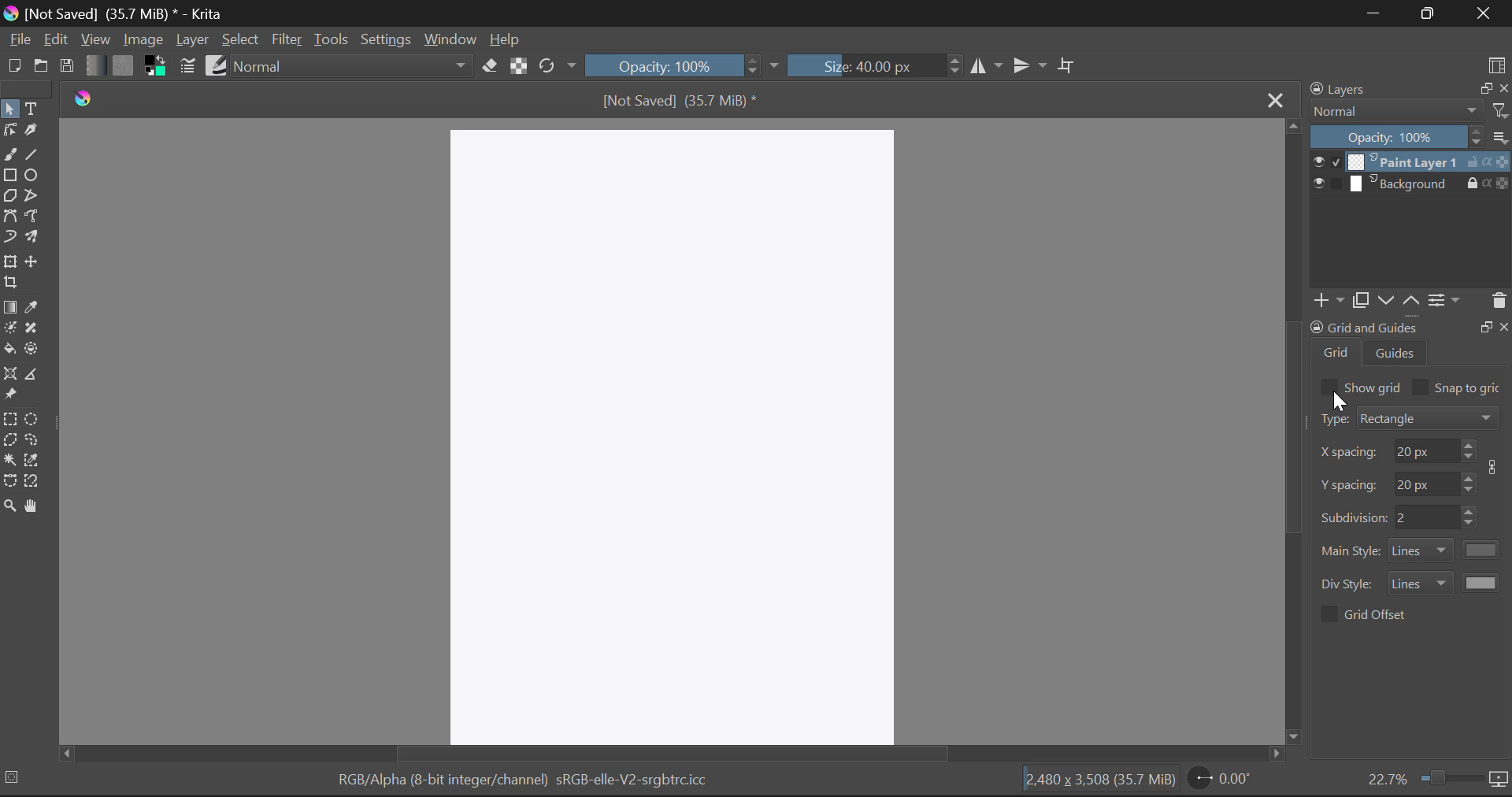 This screenshot has height=797, width=1512. Describe the element at coordinates (34, 134) in the screenshot. I see `Calligraphic Tool` at that location.